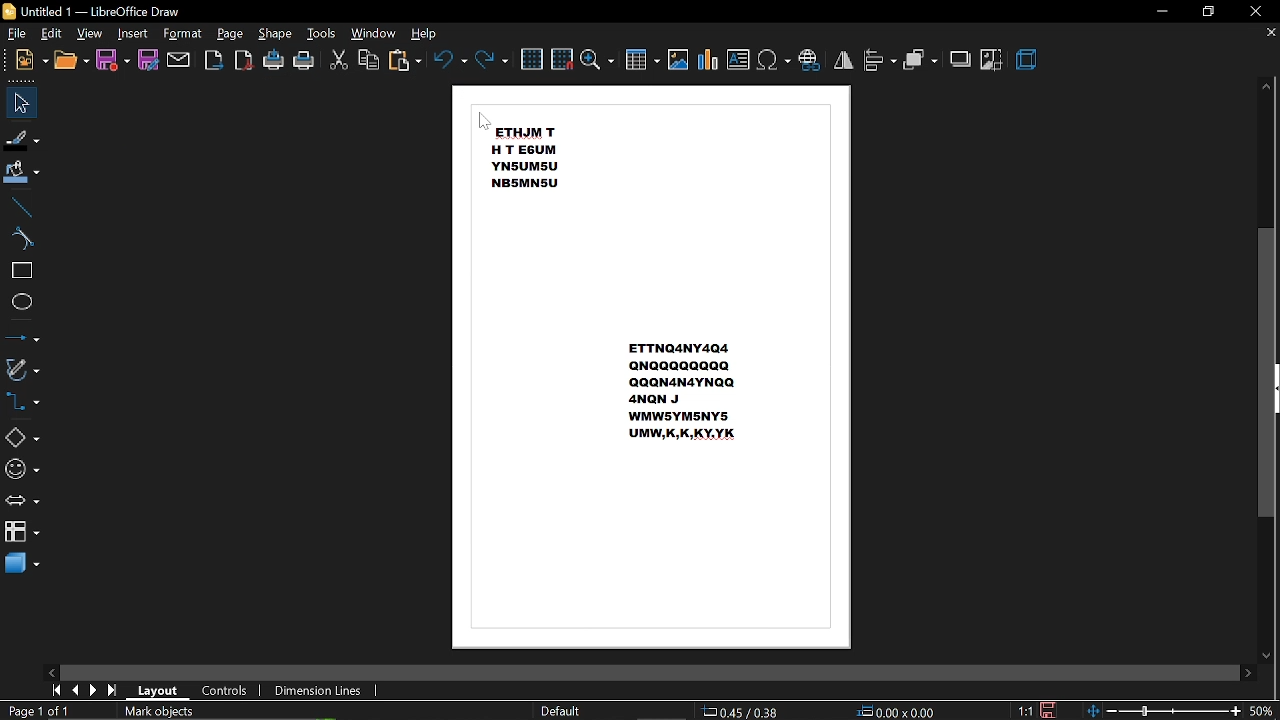 This screenshot has width=1280, height=720. Describe the element at coordinates (115, 690) in the screenshot. I see `go to last page` at that location.